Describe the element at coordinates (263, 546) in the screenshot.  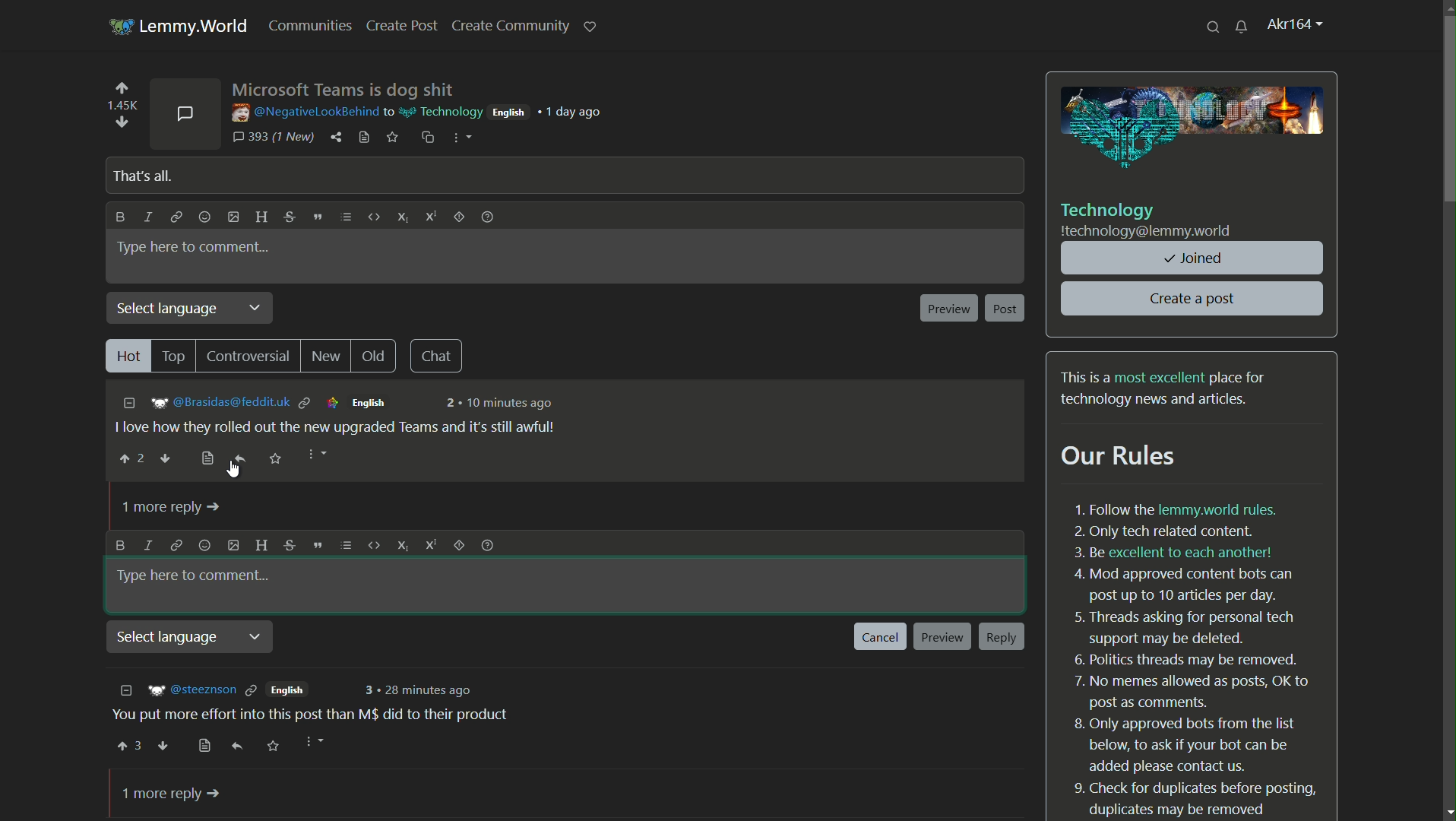
I see `header` at that location.